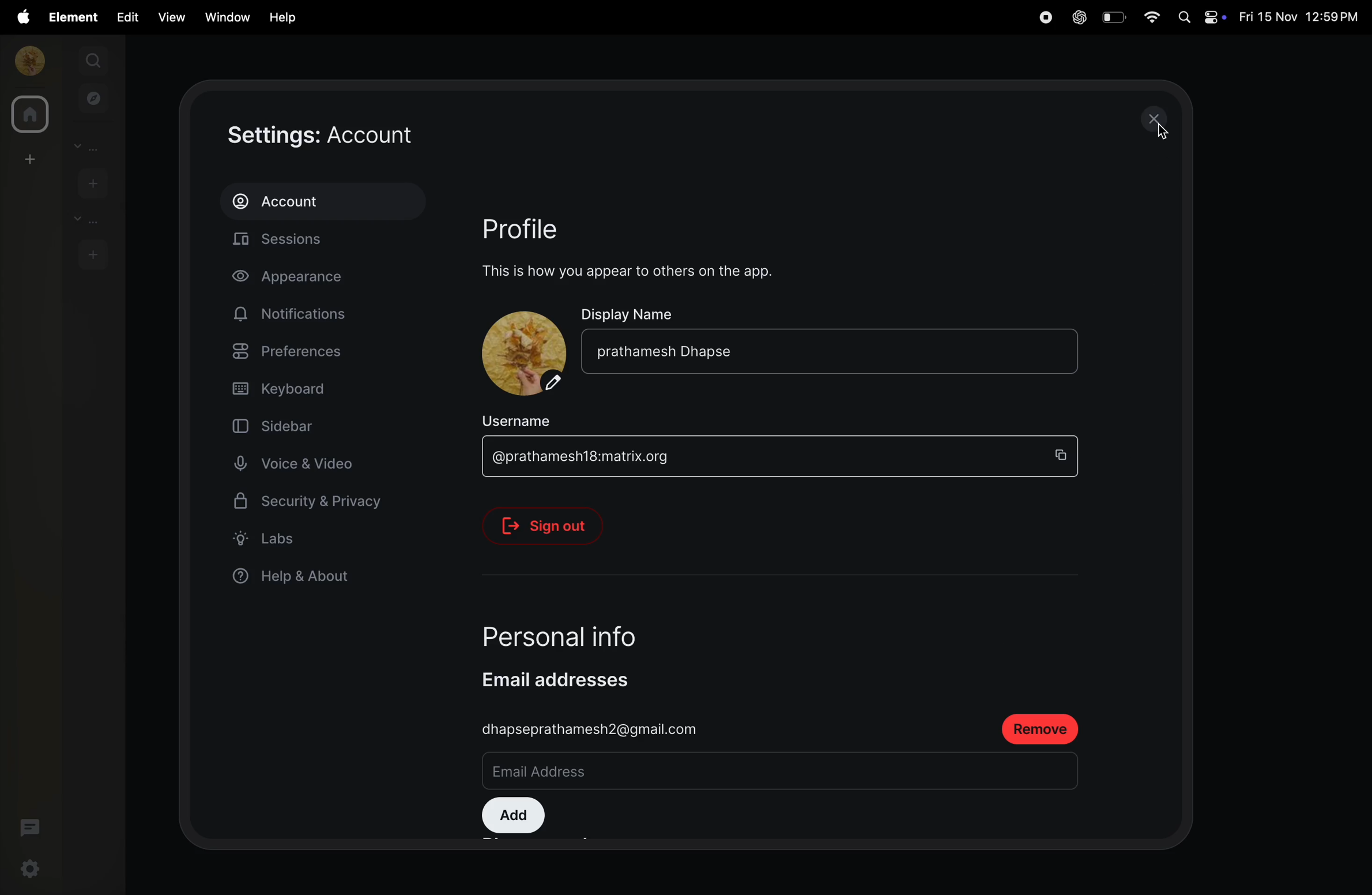 The width and height of the screenshot is (1372, 895). I want to click on gmail id, so click(593, 729).